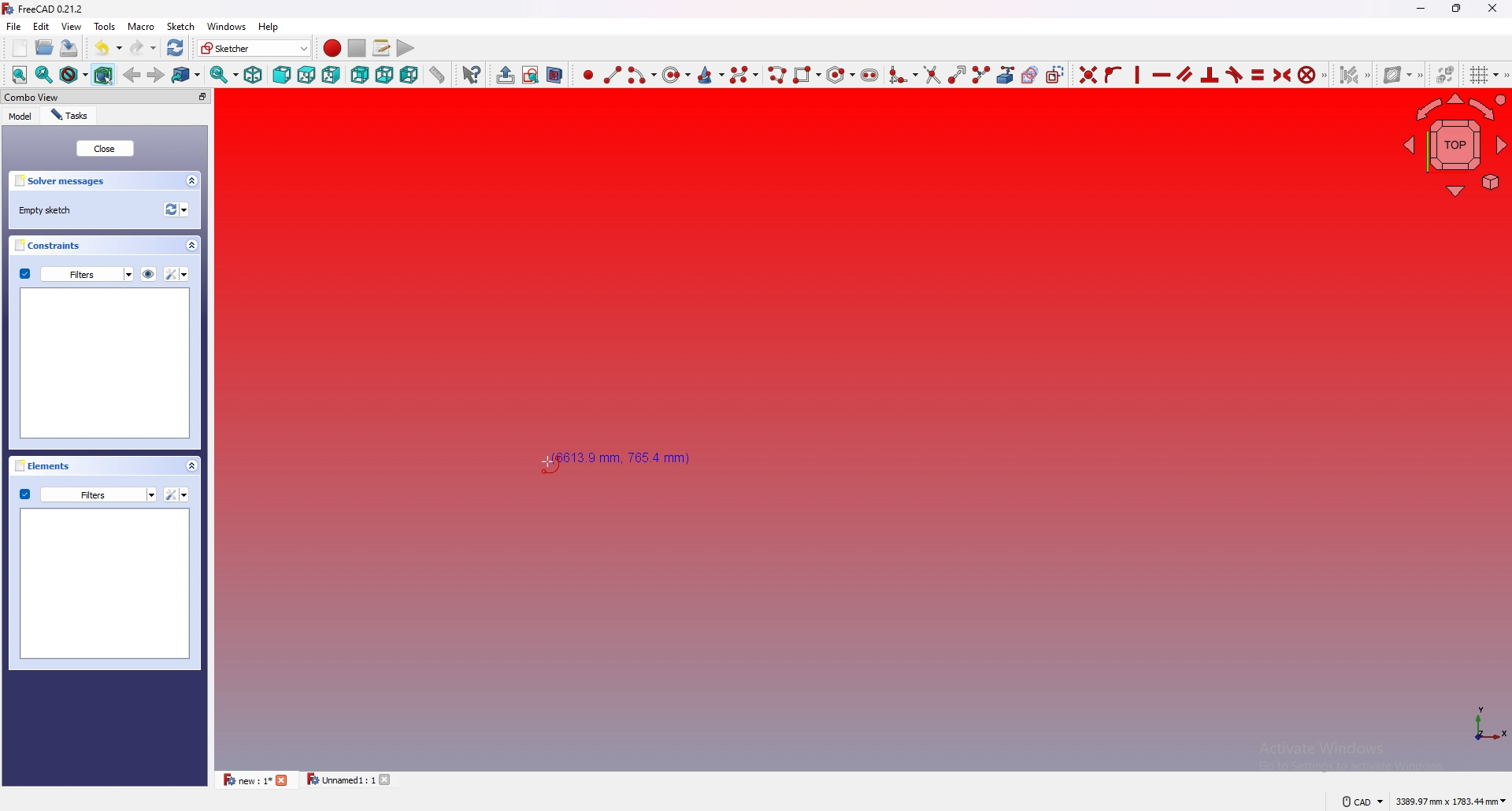  I want to click on extend edge, so click(954, 74).